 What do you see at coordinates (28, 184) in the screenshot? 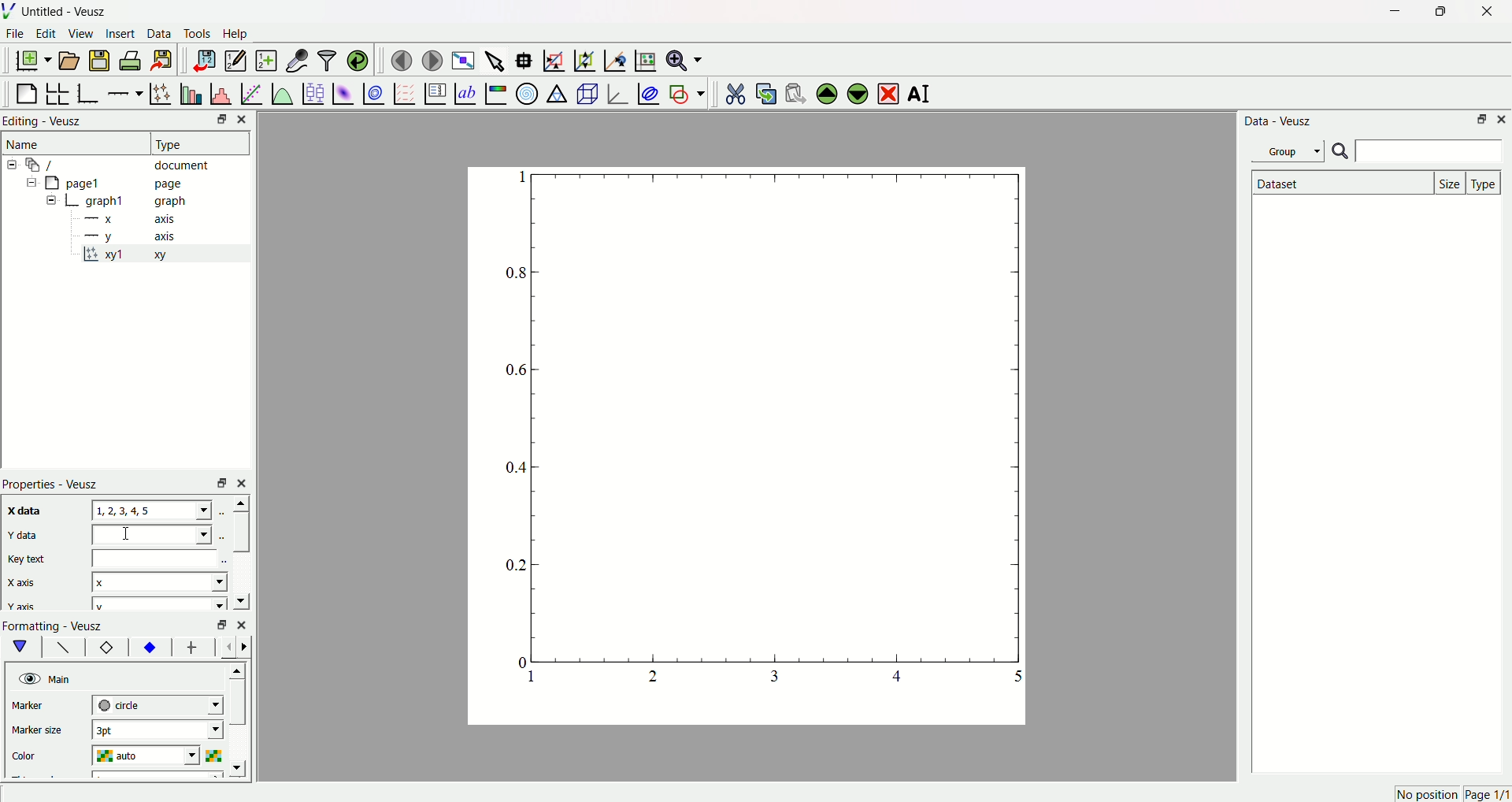
I see `collapse` at bounding box center [28, 184].